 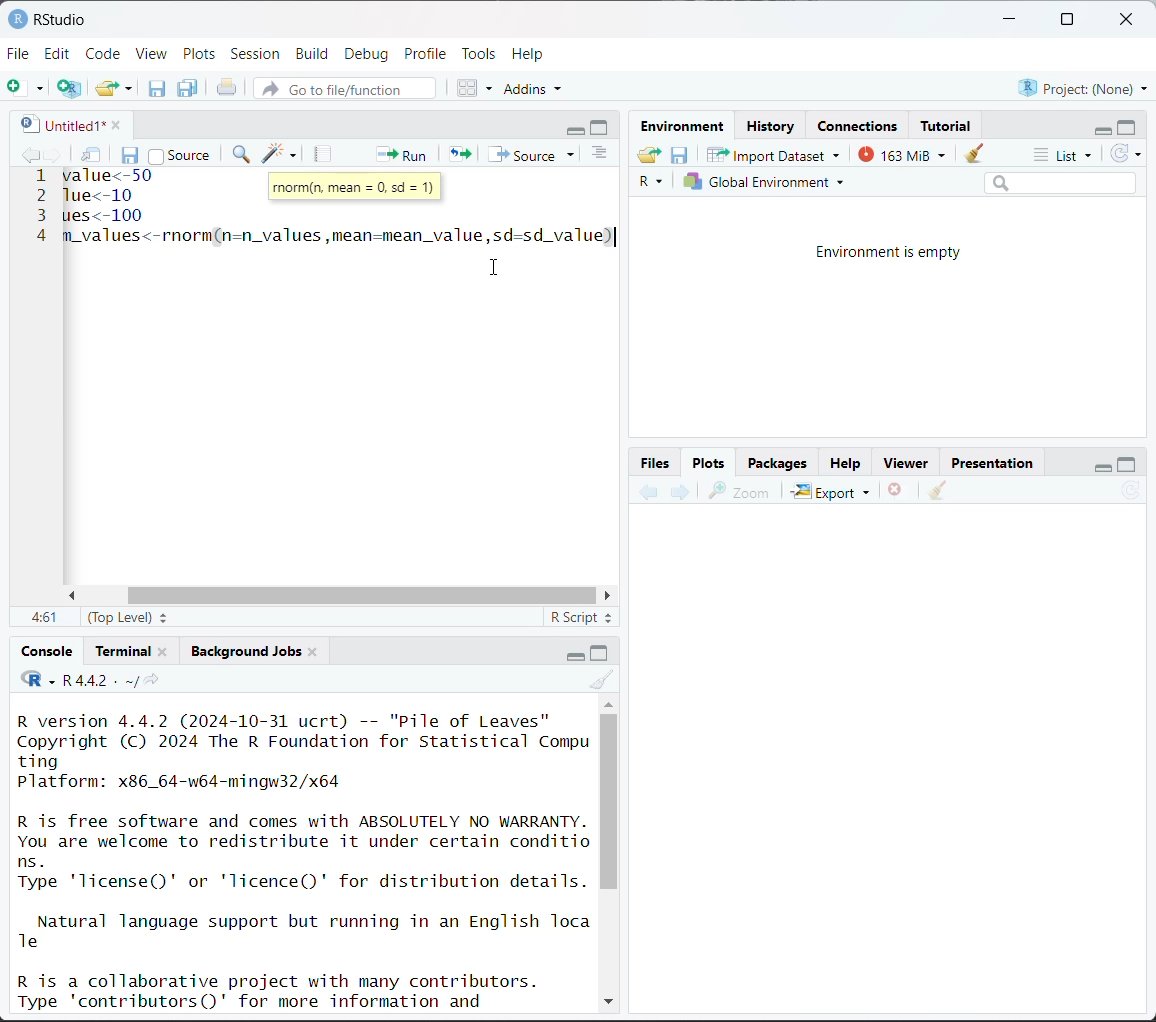 What do you see at coordinates (1131, 493) in the screenshot?
I see `refresh current plot` at bounding box center [1131, 493].